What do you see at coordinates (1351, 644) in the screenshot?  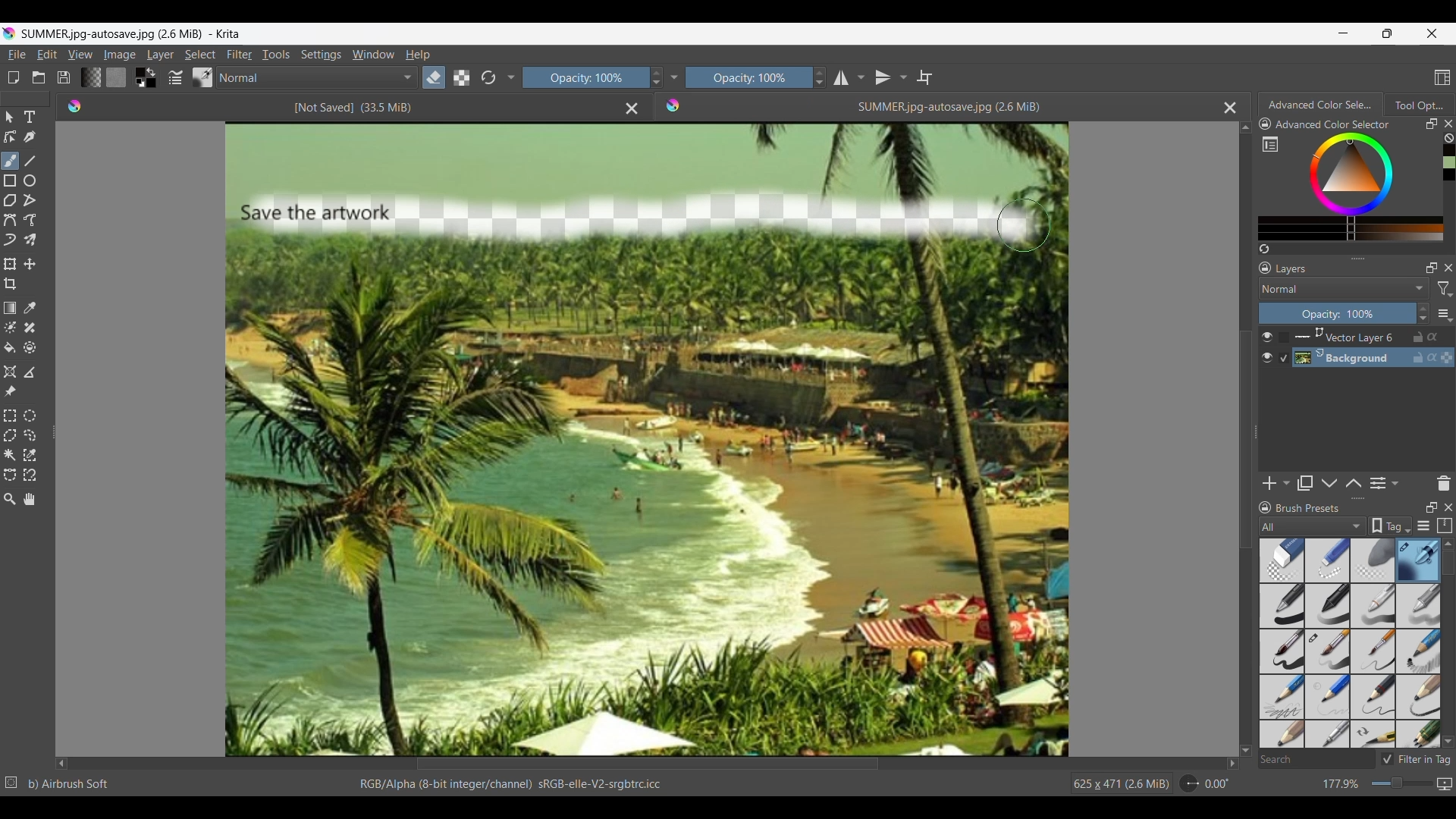 I see `Brush preset options with selected brush highlighted` at bounding box center [1351, 644].